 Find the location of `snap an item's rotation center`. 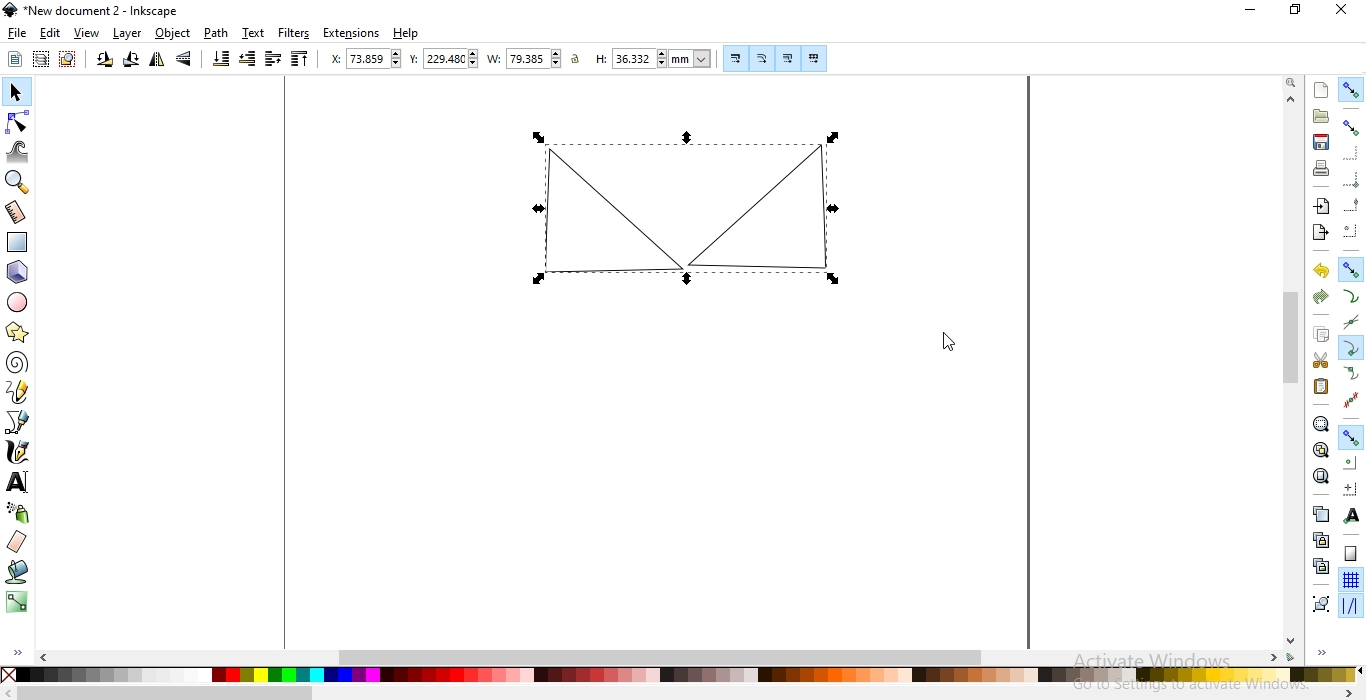

snap an item's rotation center is located at coordinates (1351, 488).